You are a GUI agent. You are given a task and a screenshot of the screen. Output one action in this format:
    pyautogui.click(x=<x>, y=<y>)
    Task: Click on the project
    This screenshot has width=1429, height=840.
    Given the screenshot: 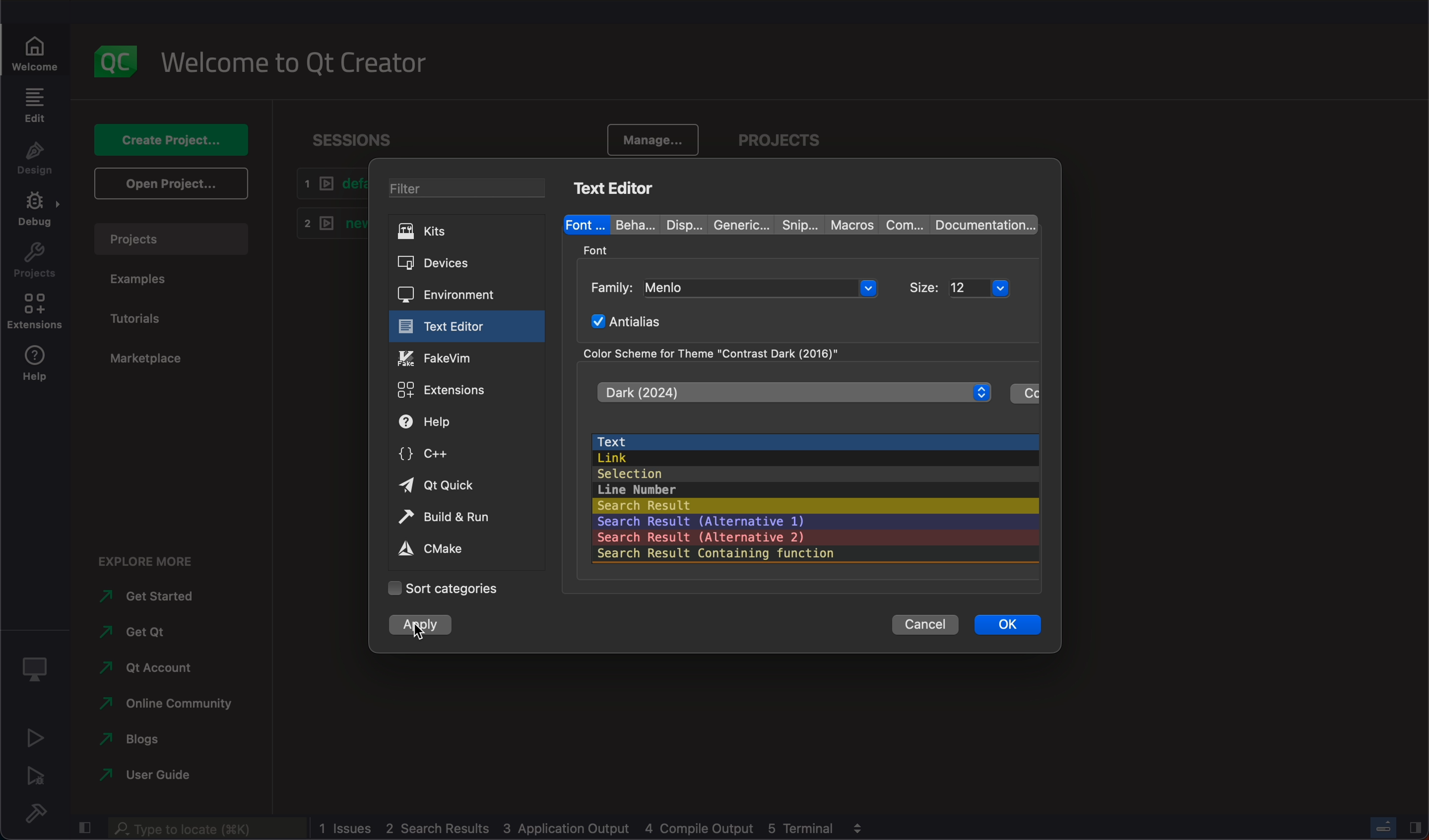 What is the action you would take?
    pyautogui.click(x=790, y=137)
    